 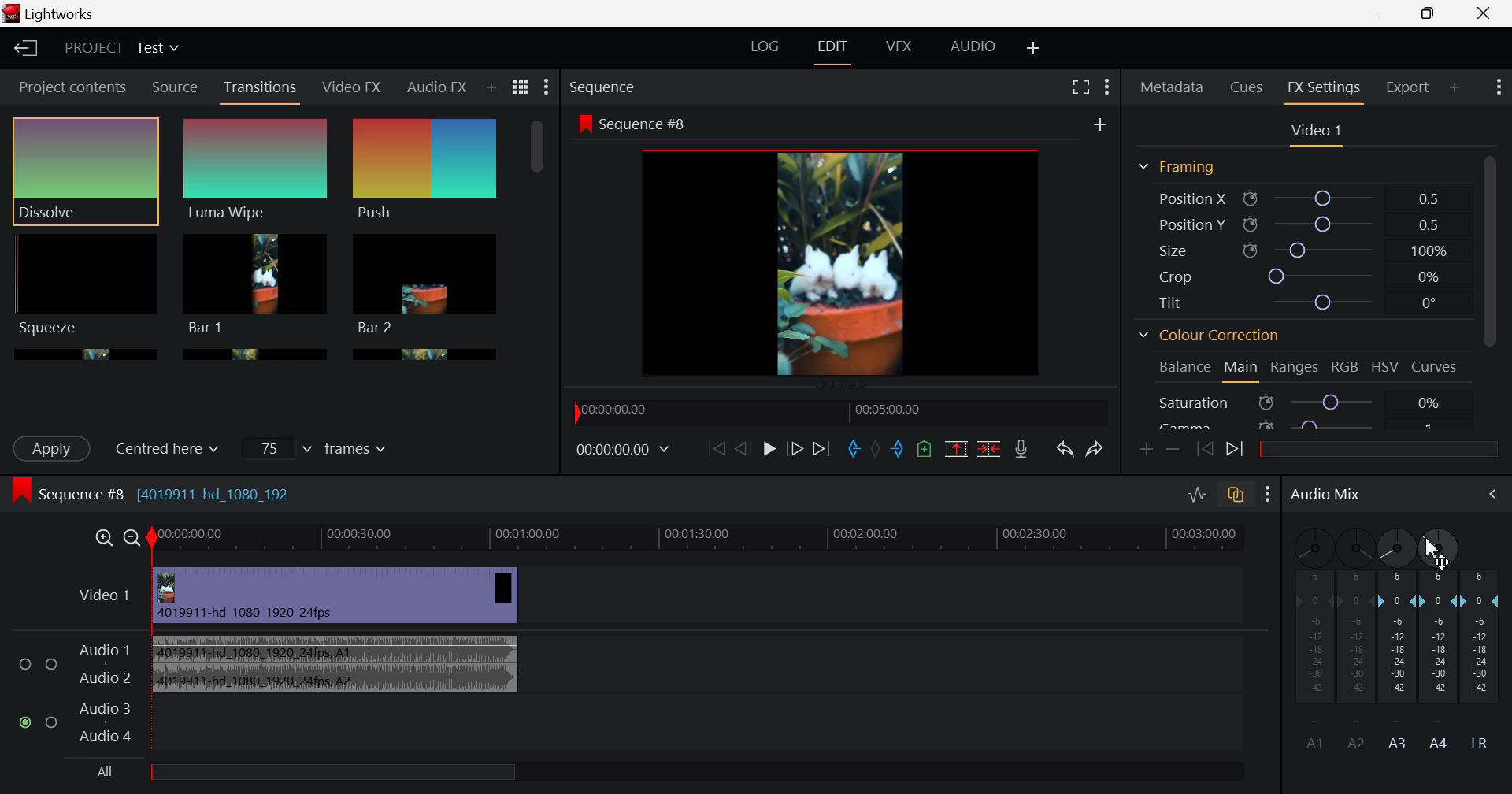 What do you see at coordinates (976, 49) in the screenshot?
I see `AUDIO Layout` at bounding box center [976, 49].